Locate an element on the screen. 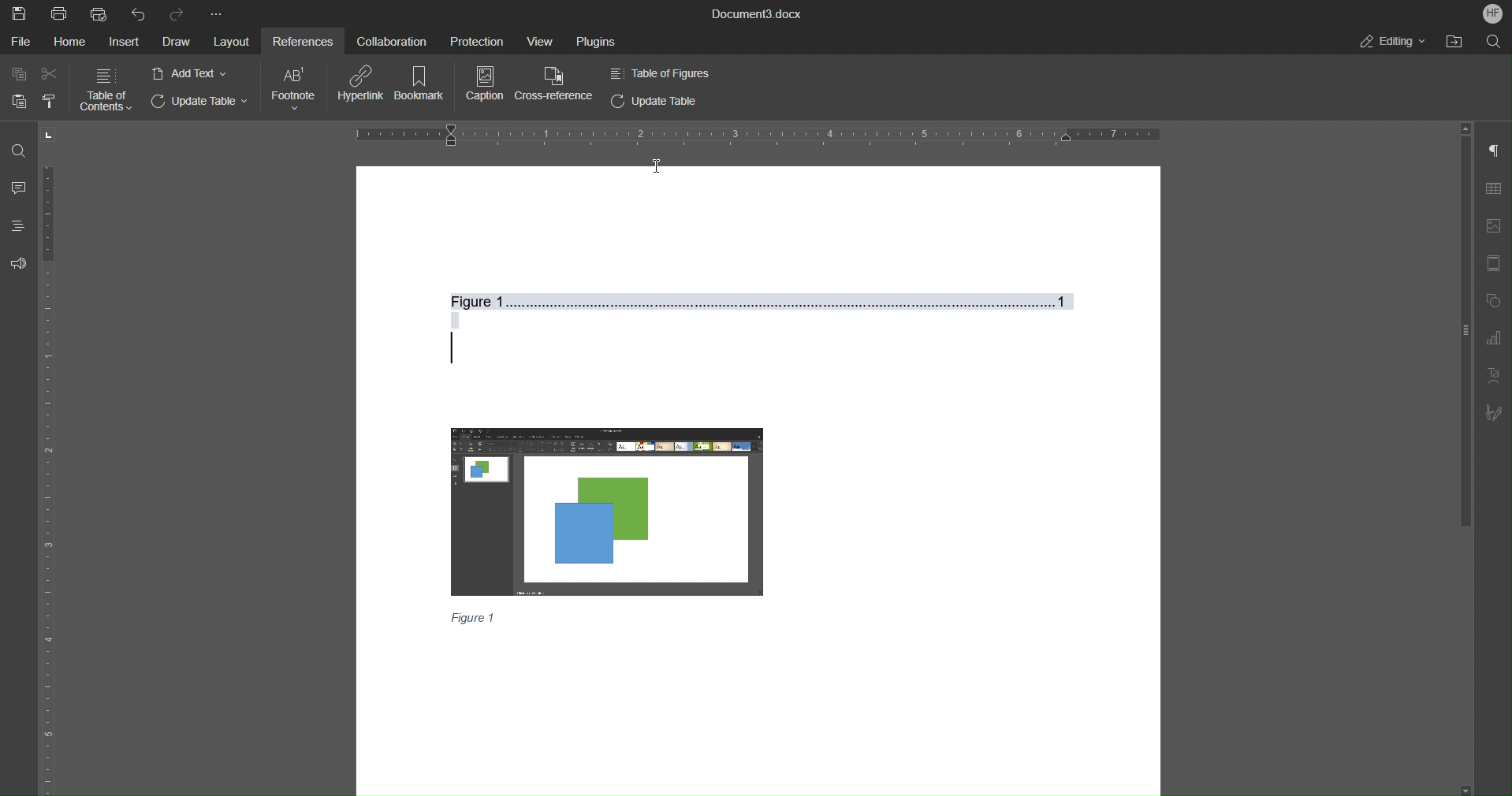 This screenshot has width=1512, height=796. Add Text is located at coordinates (191, 73).